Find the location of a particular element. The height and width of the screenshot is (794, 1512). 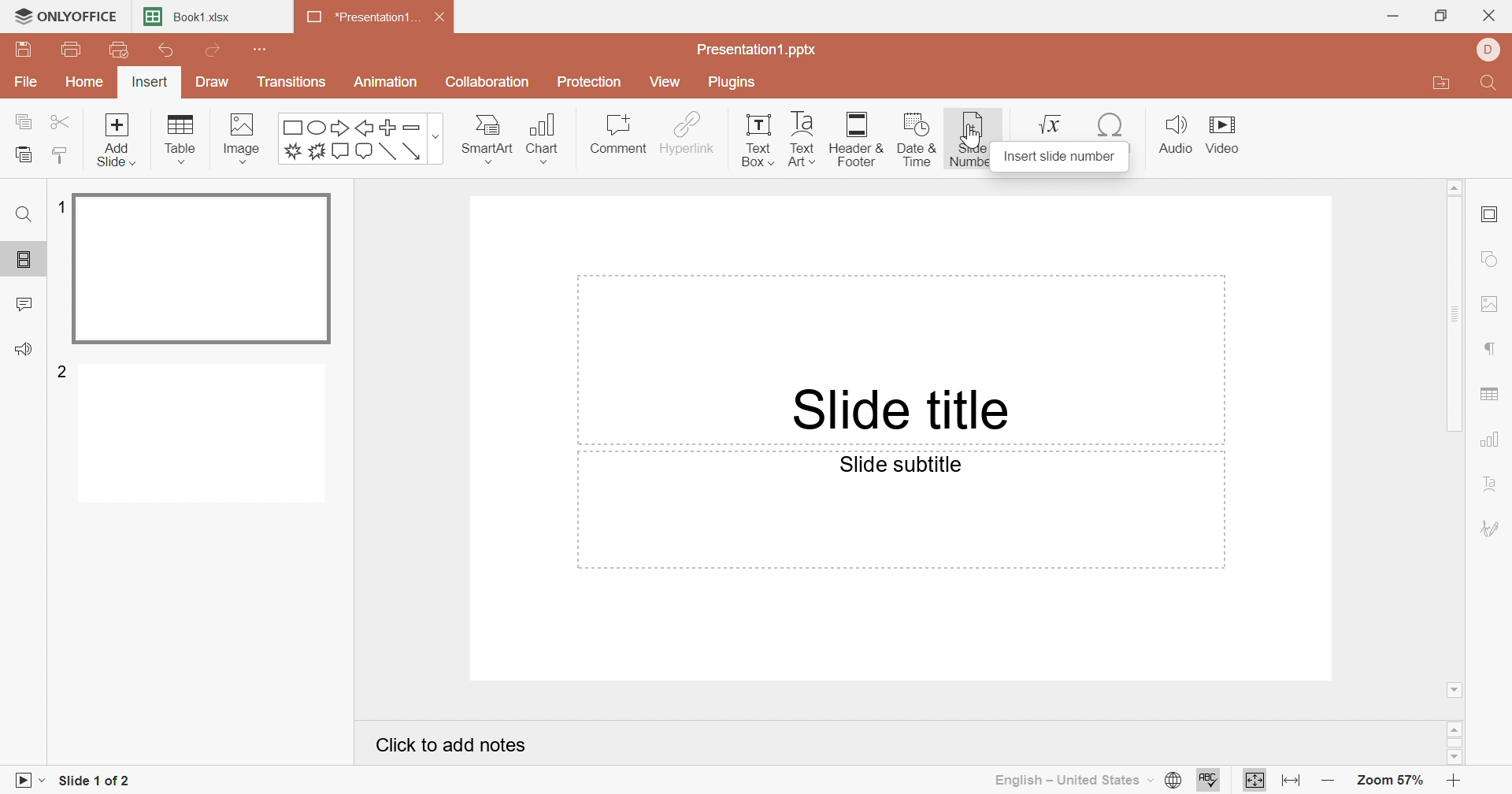

Symbol is located at coordinates (1113, 125).